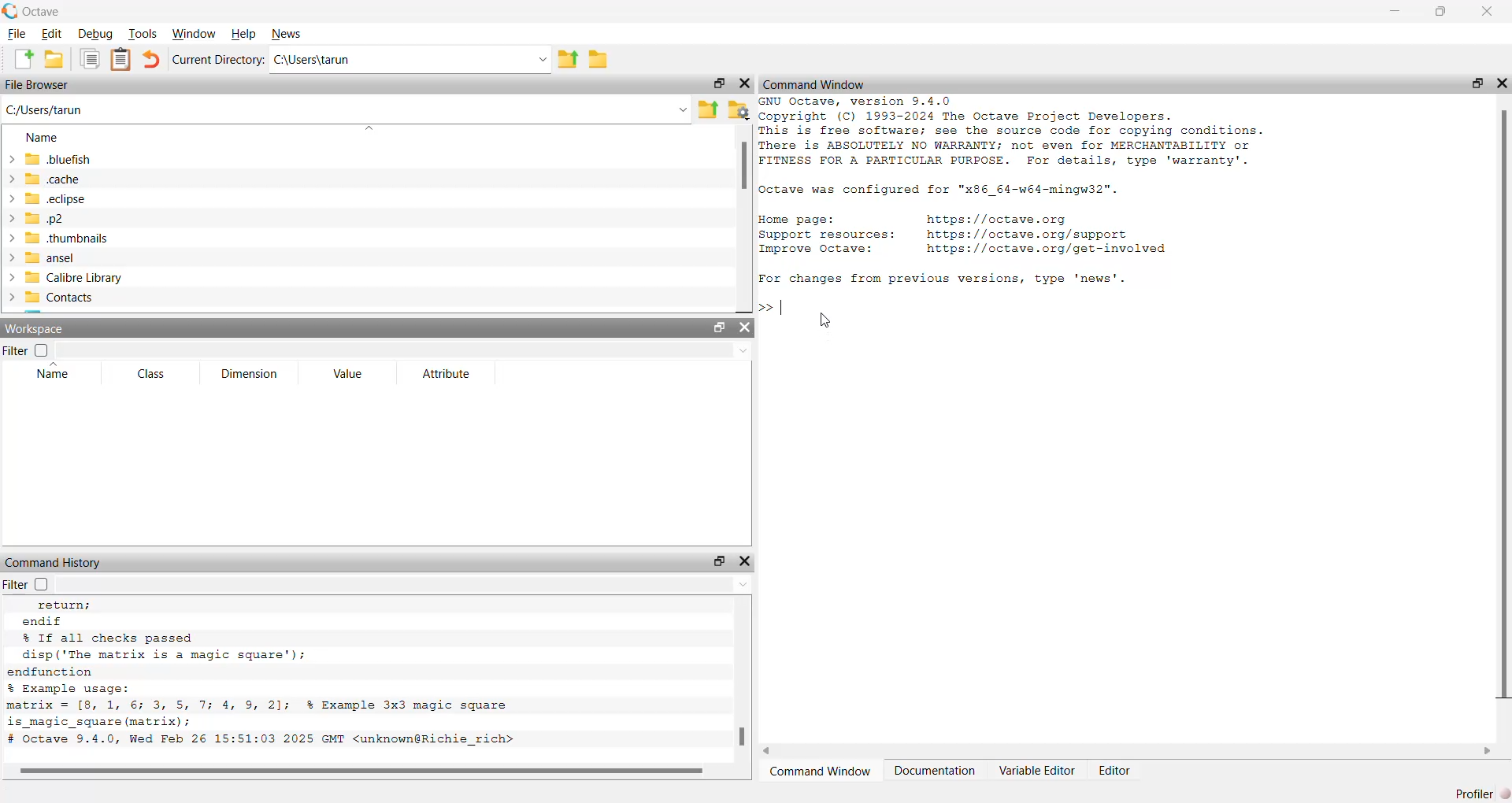 Image resolution: width=1512 pixels, height=803 pixels. I want to click on Edit, so click(54, 35).